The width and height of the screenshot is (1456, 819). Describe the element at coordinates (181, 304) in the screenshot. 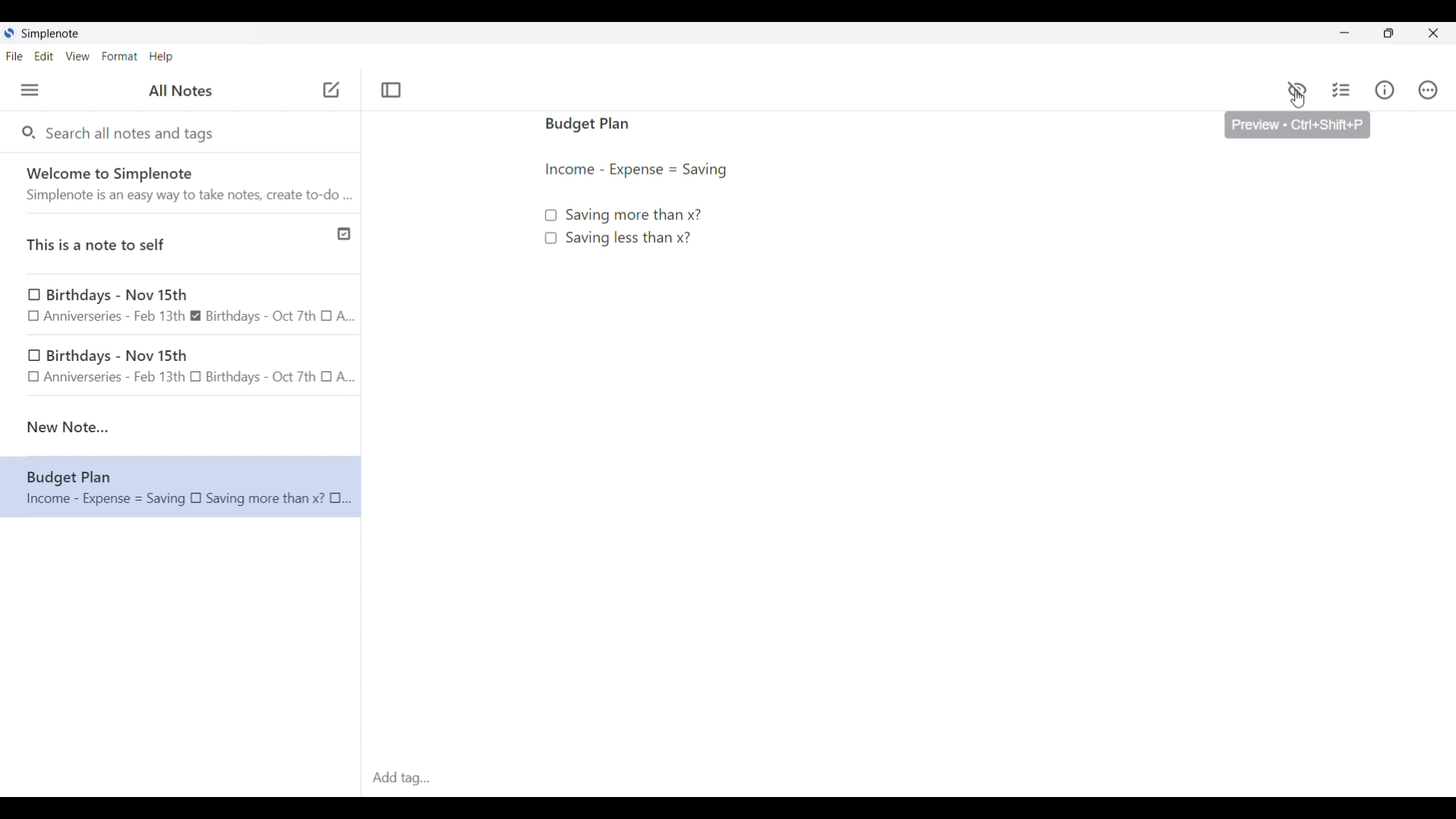

I see `Birthday note` at that location.